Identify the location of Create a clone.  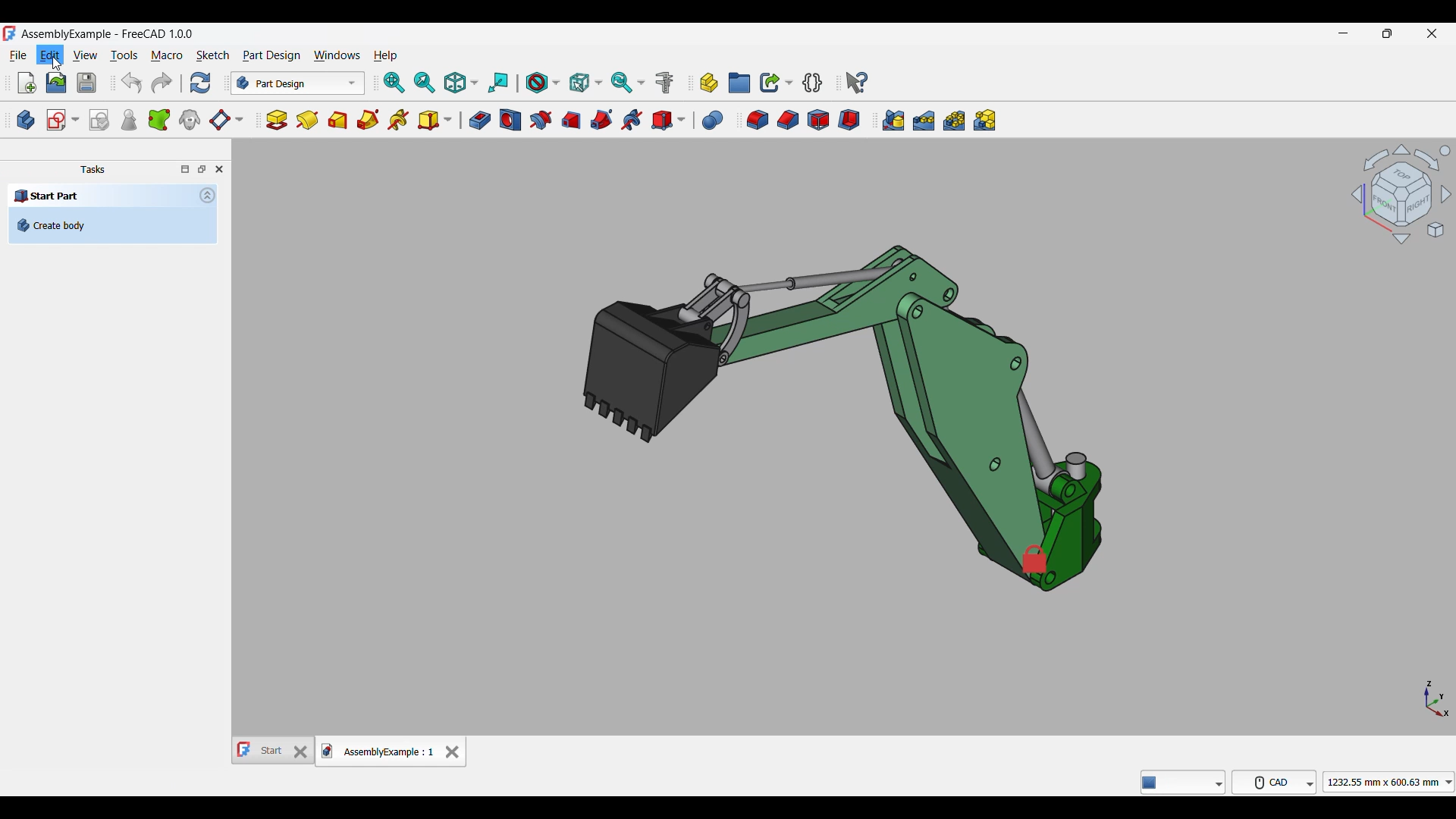
(189, 120).